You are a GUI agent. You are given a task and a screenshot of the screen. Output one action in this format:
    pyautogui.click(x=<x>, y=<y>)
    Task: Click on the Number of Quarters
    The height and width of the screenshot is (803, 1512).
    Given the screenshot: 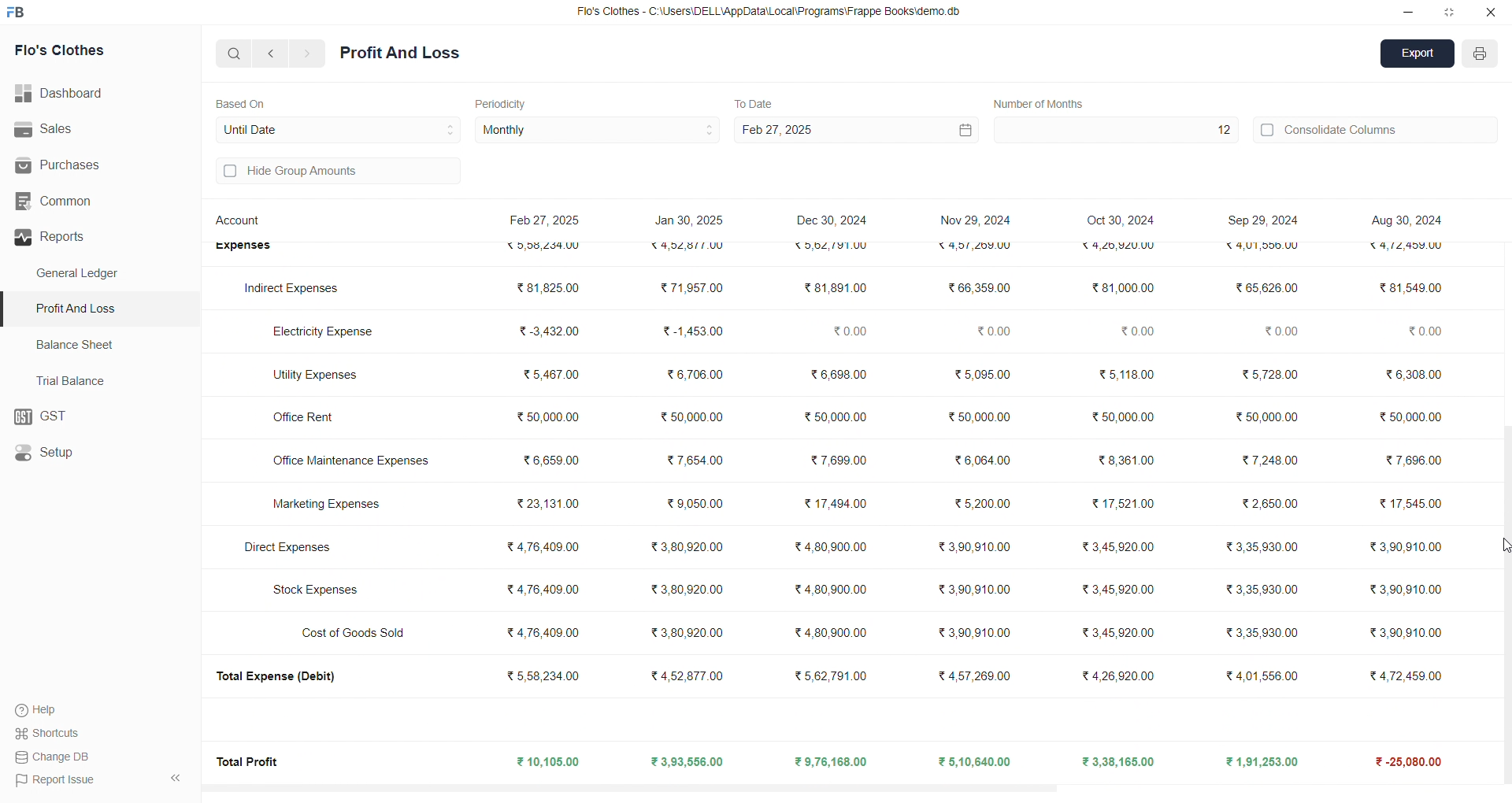 What is the action you would take?
    pyautogui.click(x=1043, y=103)
    